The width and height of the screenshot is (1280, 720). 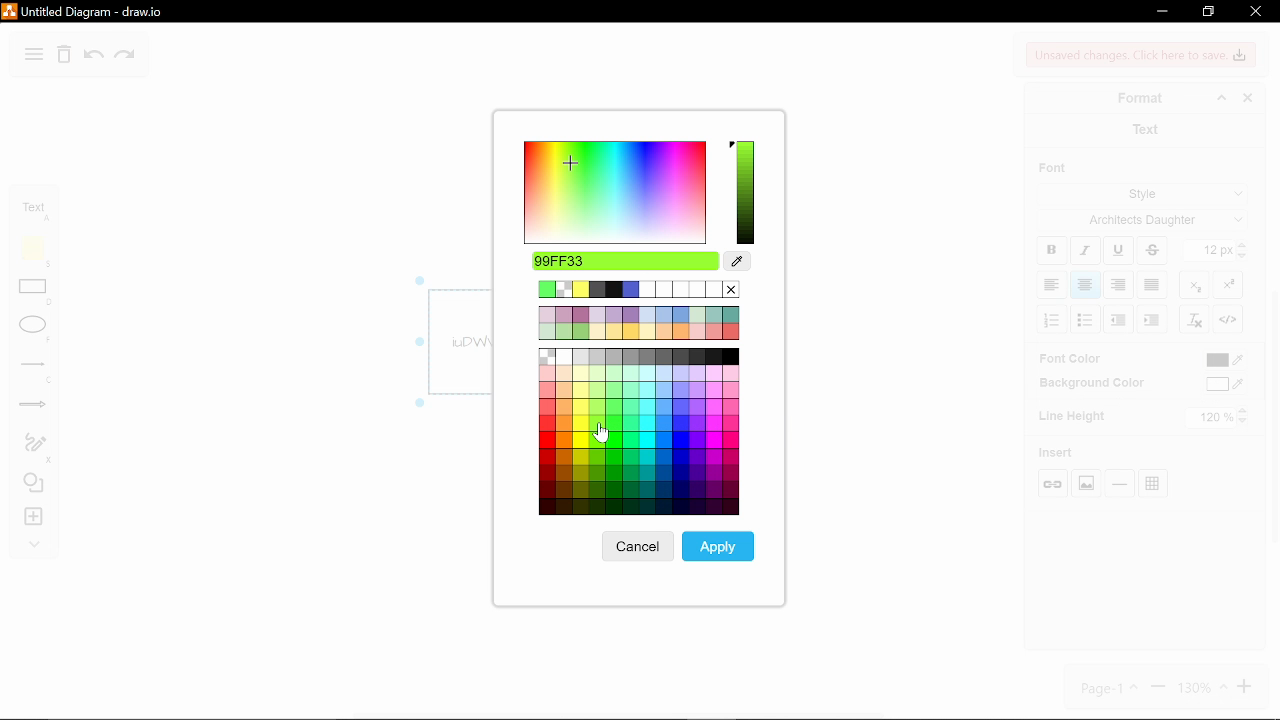 What do you see at coordinates (634, 433) in the screenshot?
I see `Other colors` at bounding box center [634, 433].